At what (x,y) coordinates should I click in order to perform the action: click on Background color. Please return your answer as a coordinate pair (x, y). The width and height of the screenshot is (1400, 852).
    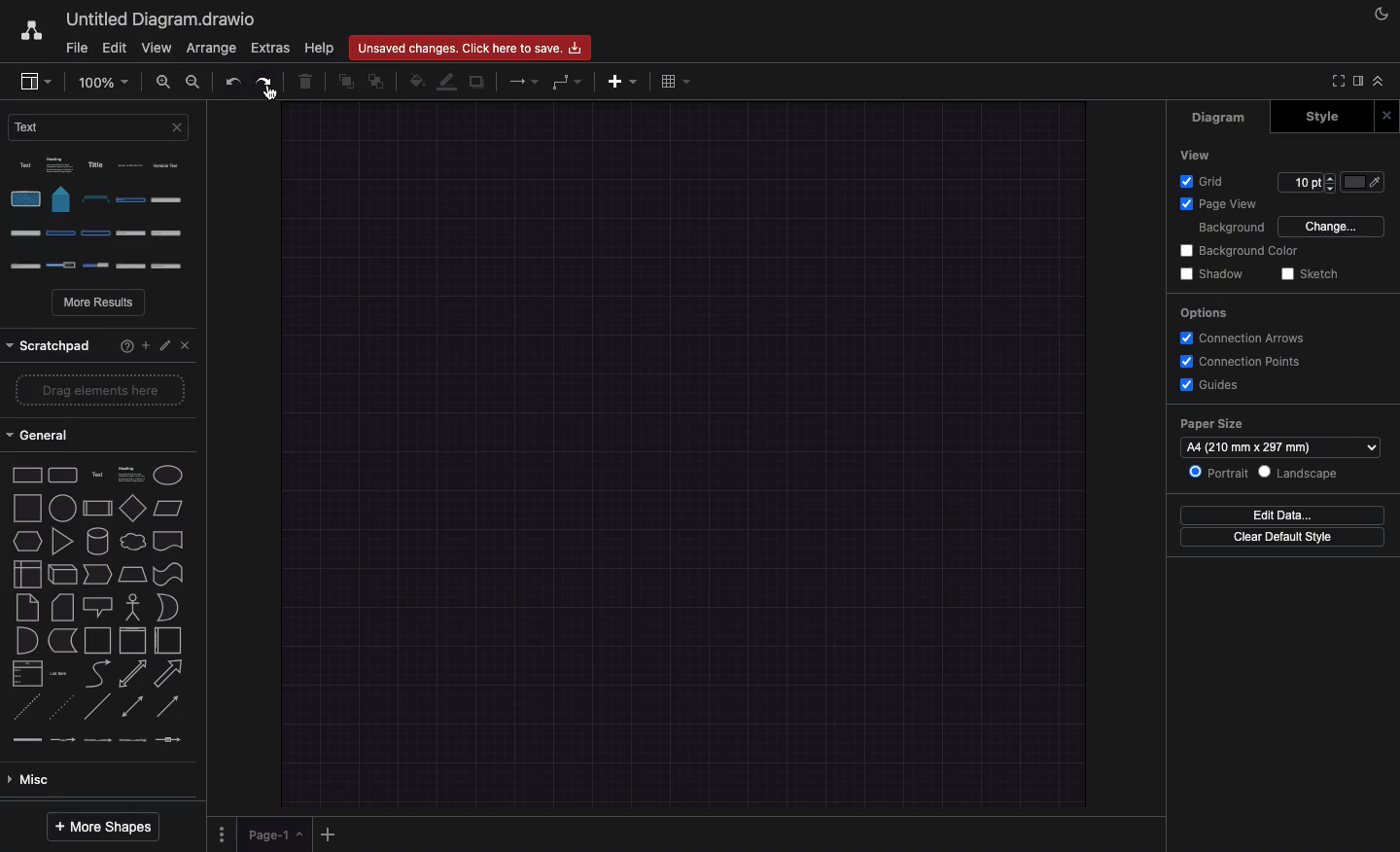
    Looking at the image, I should click on (1242, 249).